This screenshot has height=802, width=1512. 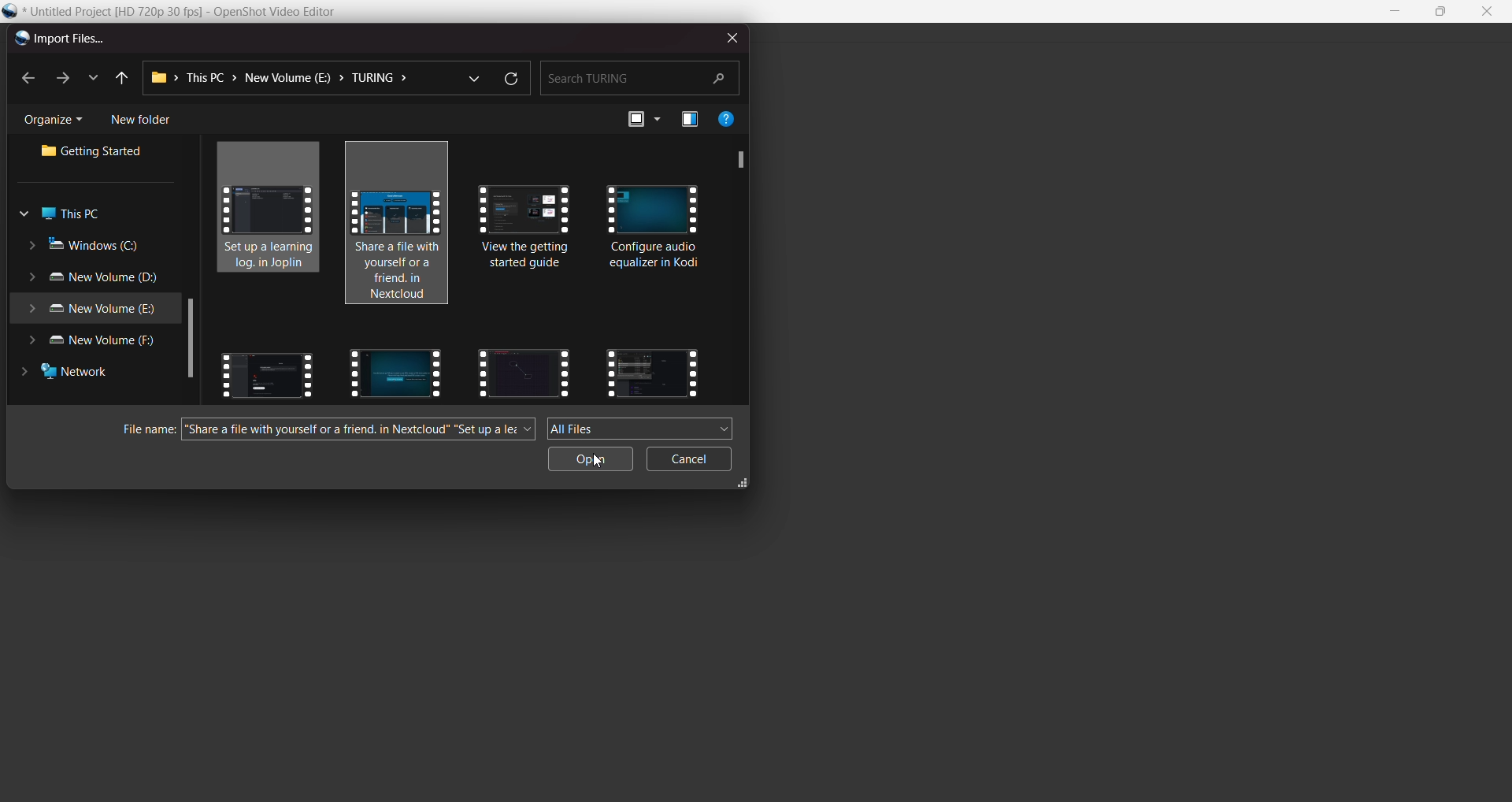 What do you see at coordinates (524, 370) in the screenshot?
I see `videos` at bounding box center [524, 370].